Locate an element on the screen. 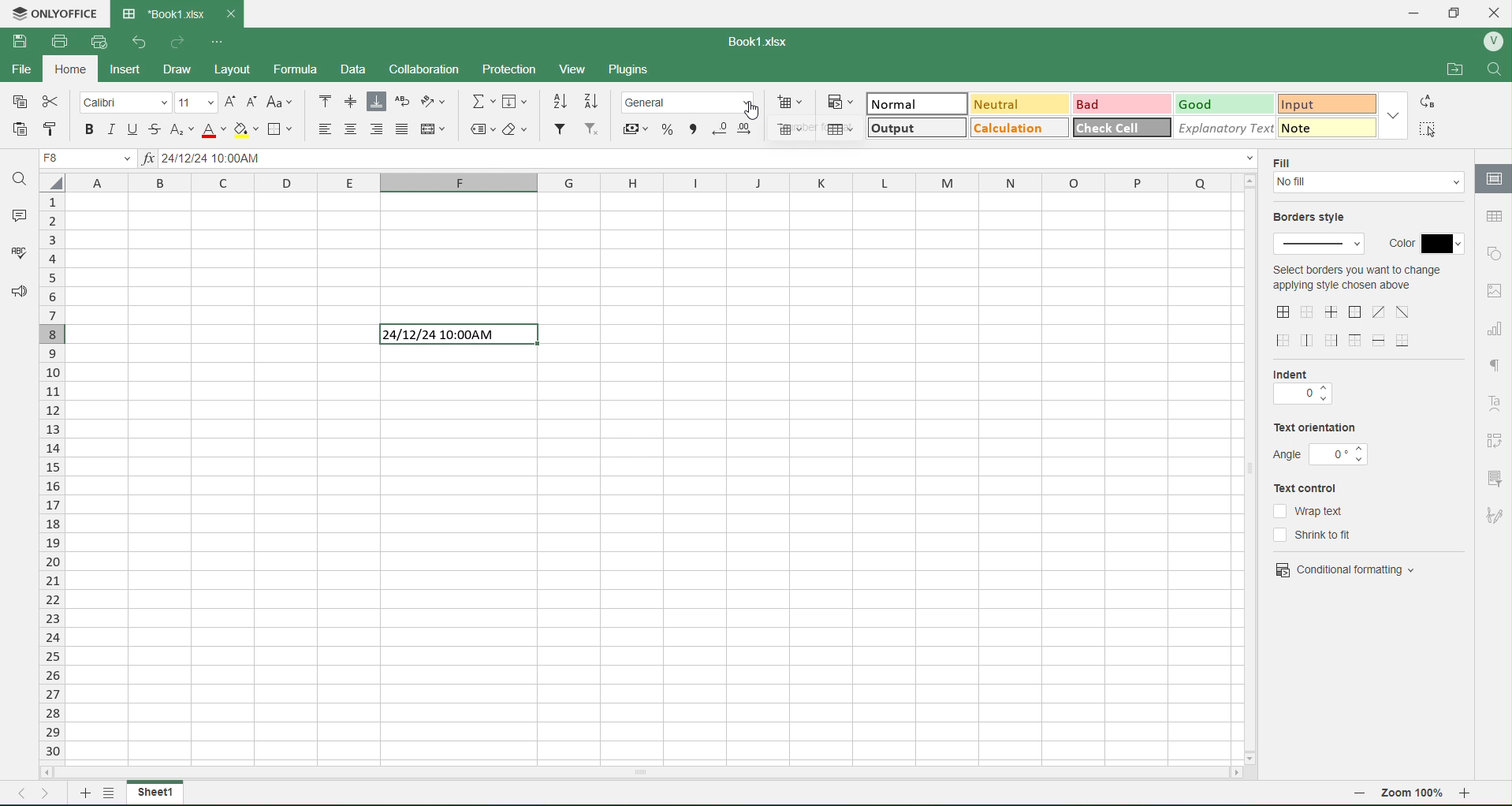  Find is located at coordinates (20, 178).